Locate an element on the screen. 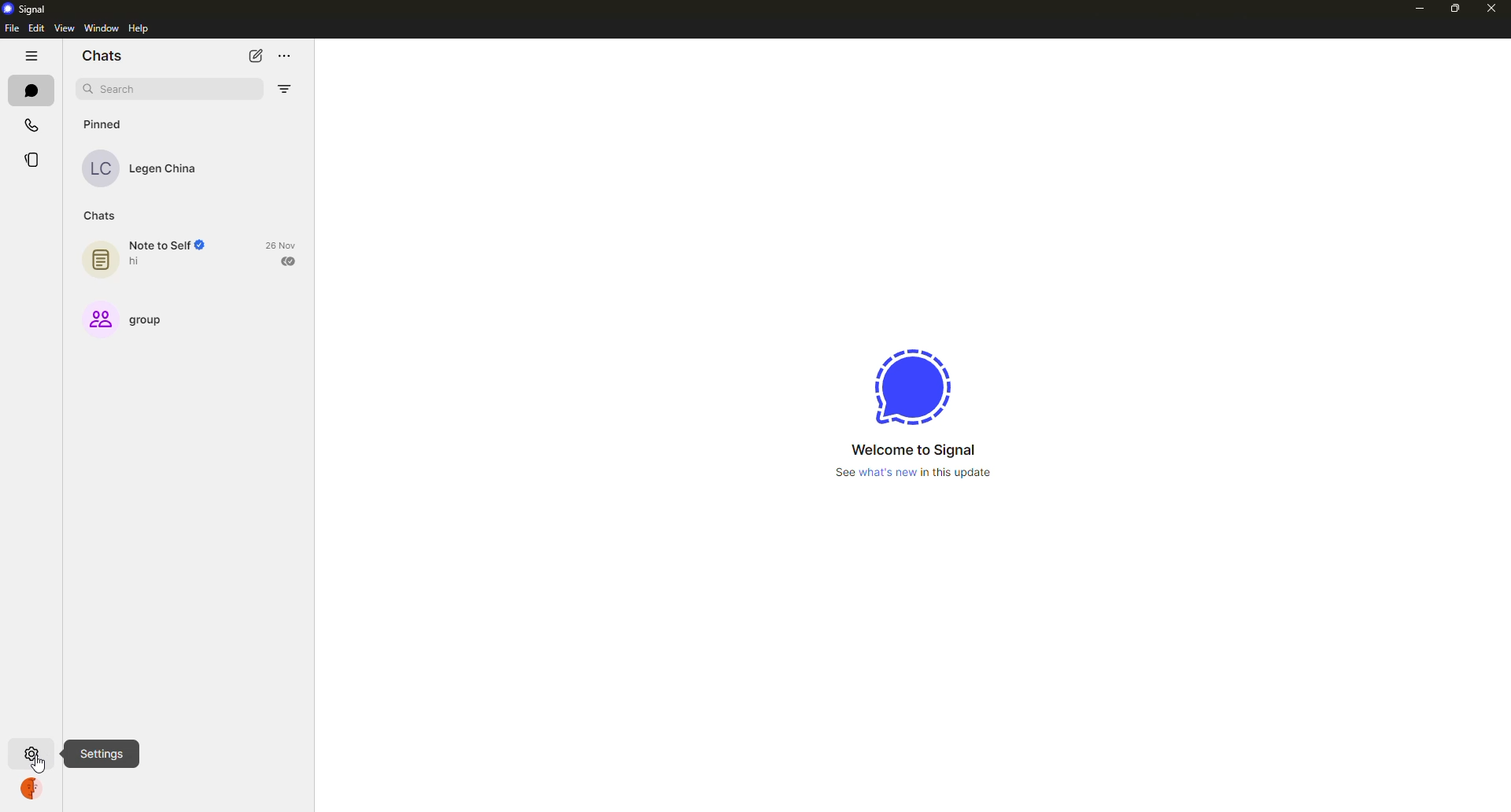 Image resolution: width=1511 pixels, height=812 pixels. search is located at coordinates (118, 87).